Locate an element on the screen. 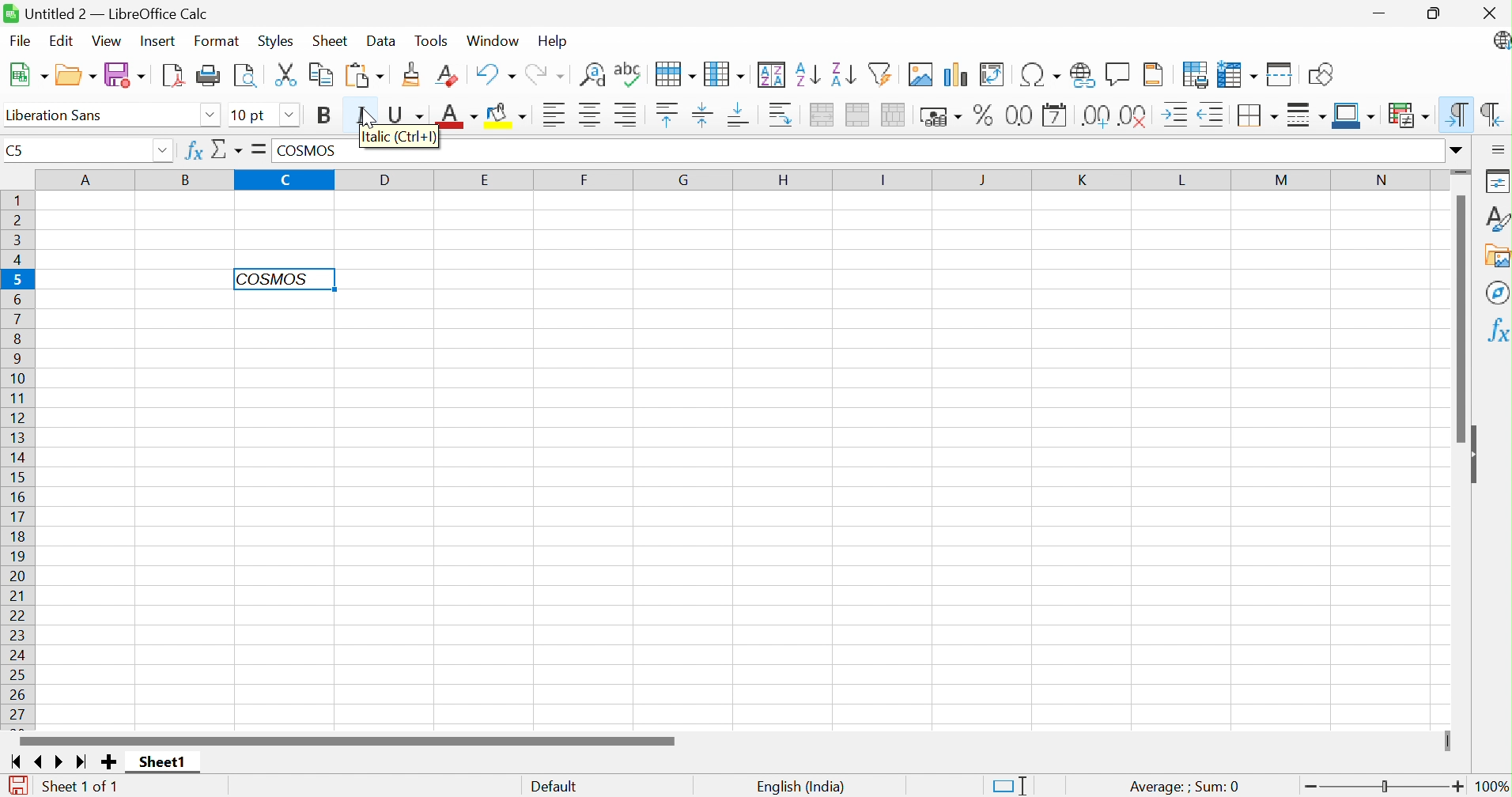 Image resolution: width=1512 pixels, height=797 pixels. Select function is located at coordinates (227, 152).